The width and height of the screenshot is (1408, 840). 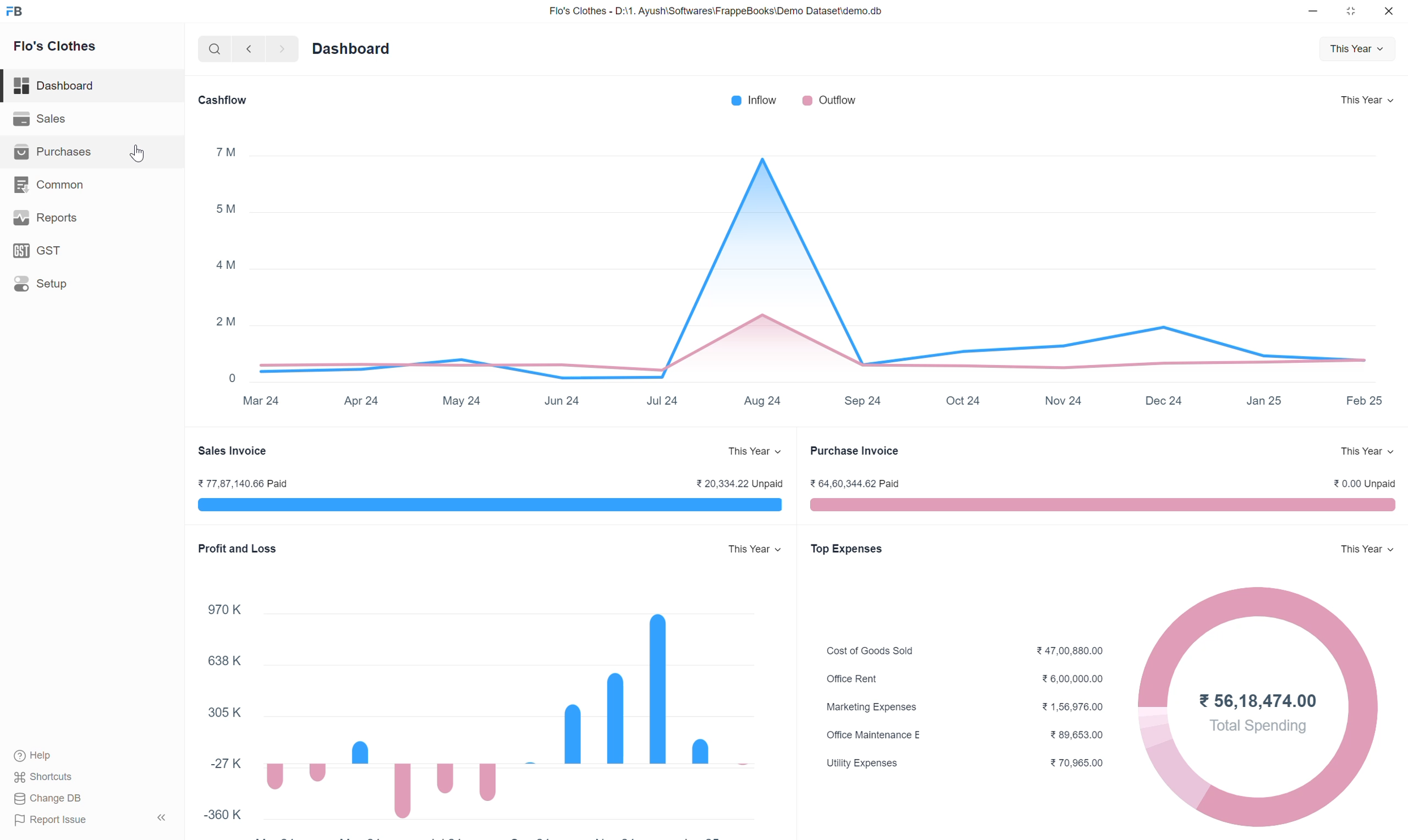 I want to click on 638 K, so click(x=224, y=659).